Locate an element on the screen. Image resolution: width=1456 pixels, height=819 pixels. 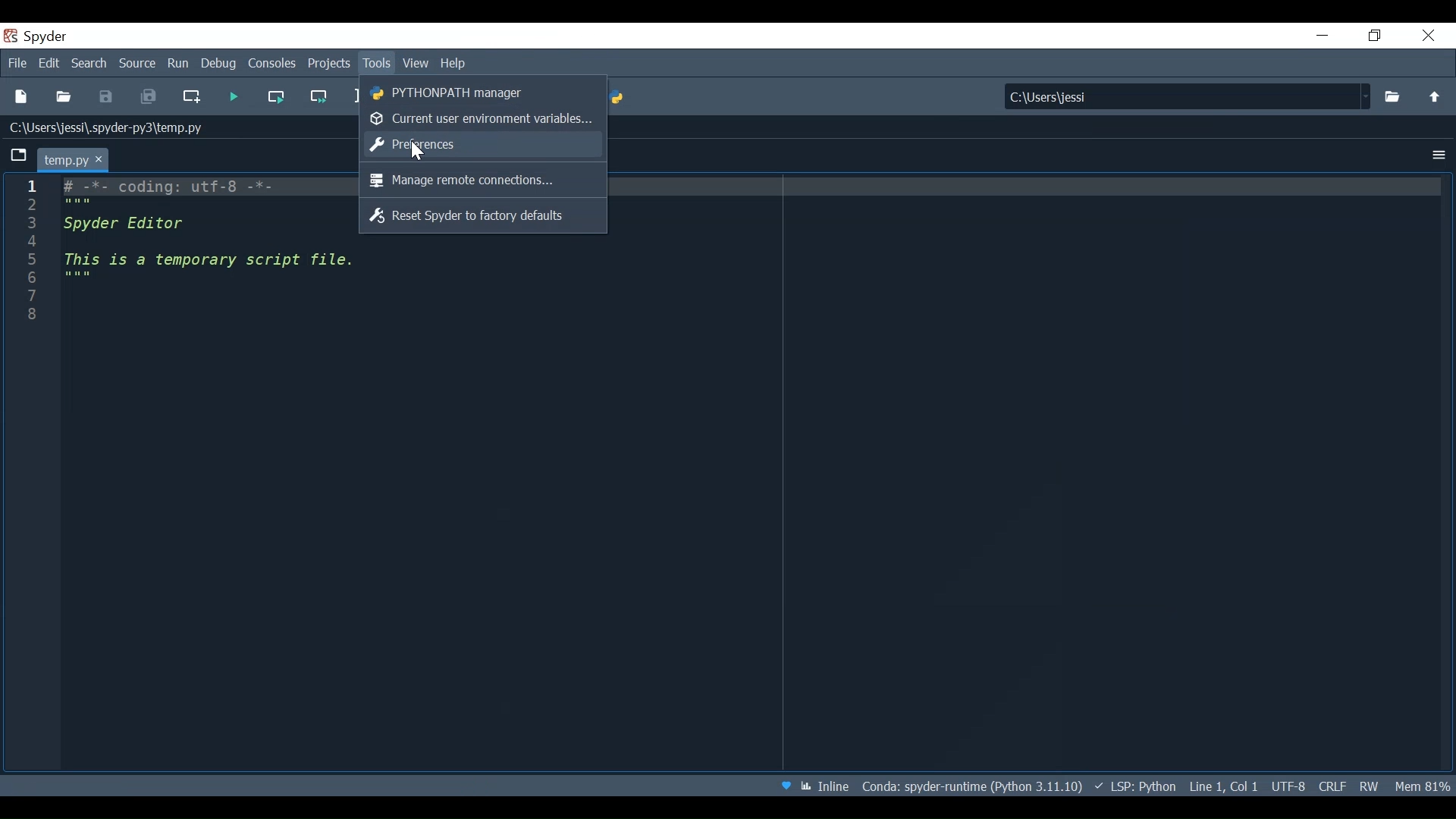
File Permissions is located at coordinates (1369, 786).